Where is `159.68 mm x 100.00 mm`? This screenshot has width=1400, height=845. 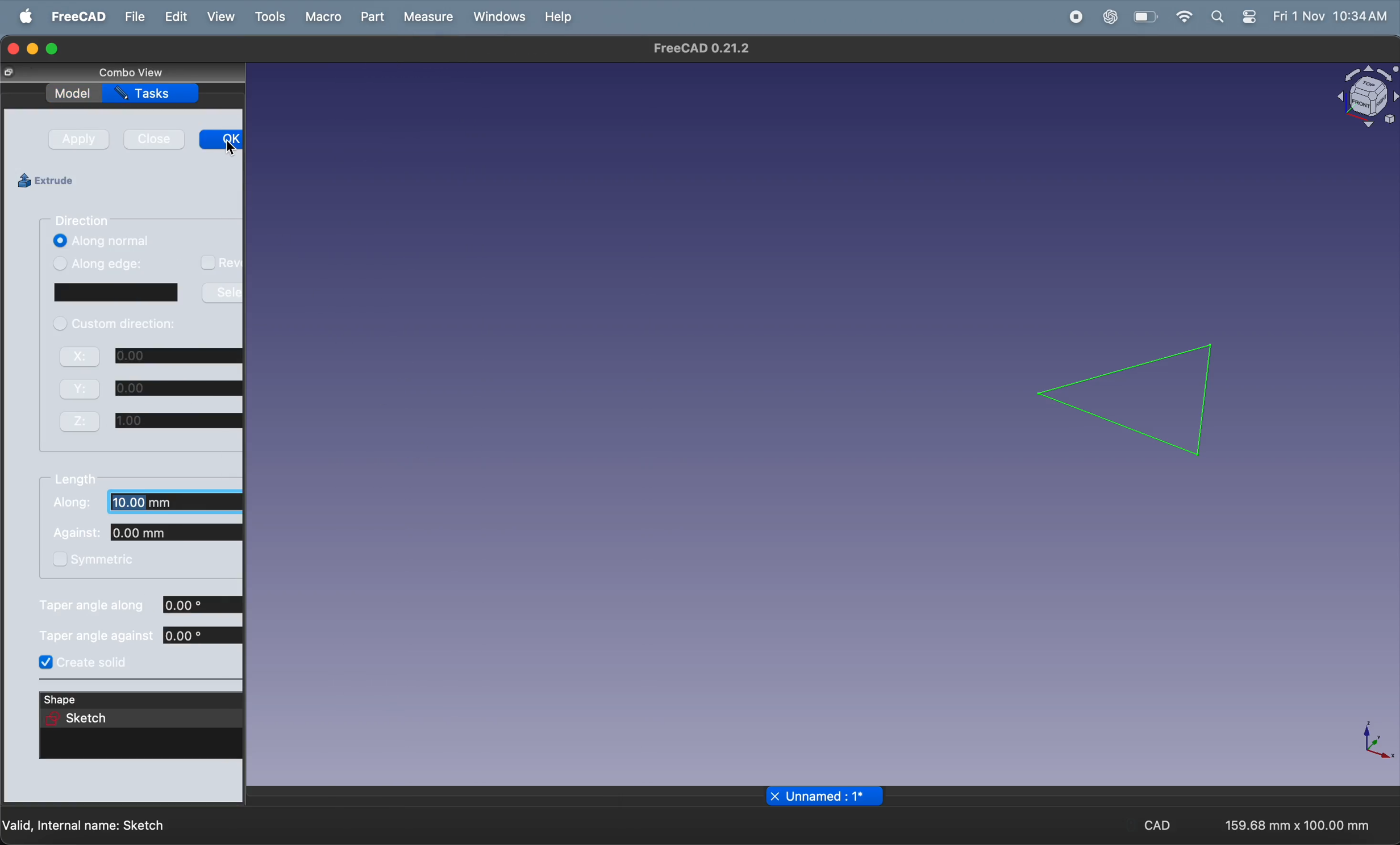
159.68 mm x 100.00 mm is located at coordinates (1296, 826).